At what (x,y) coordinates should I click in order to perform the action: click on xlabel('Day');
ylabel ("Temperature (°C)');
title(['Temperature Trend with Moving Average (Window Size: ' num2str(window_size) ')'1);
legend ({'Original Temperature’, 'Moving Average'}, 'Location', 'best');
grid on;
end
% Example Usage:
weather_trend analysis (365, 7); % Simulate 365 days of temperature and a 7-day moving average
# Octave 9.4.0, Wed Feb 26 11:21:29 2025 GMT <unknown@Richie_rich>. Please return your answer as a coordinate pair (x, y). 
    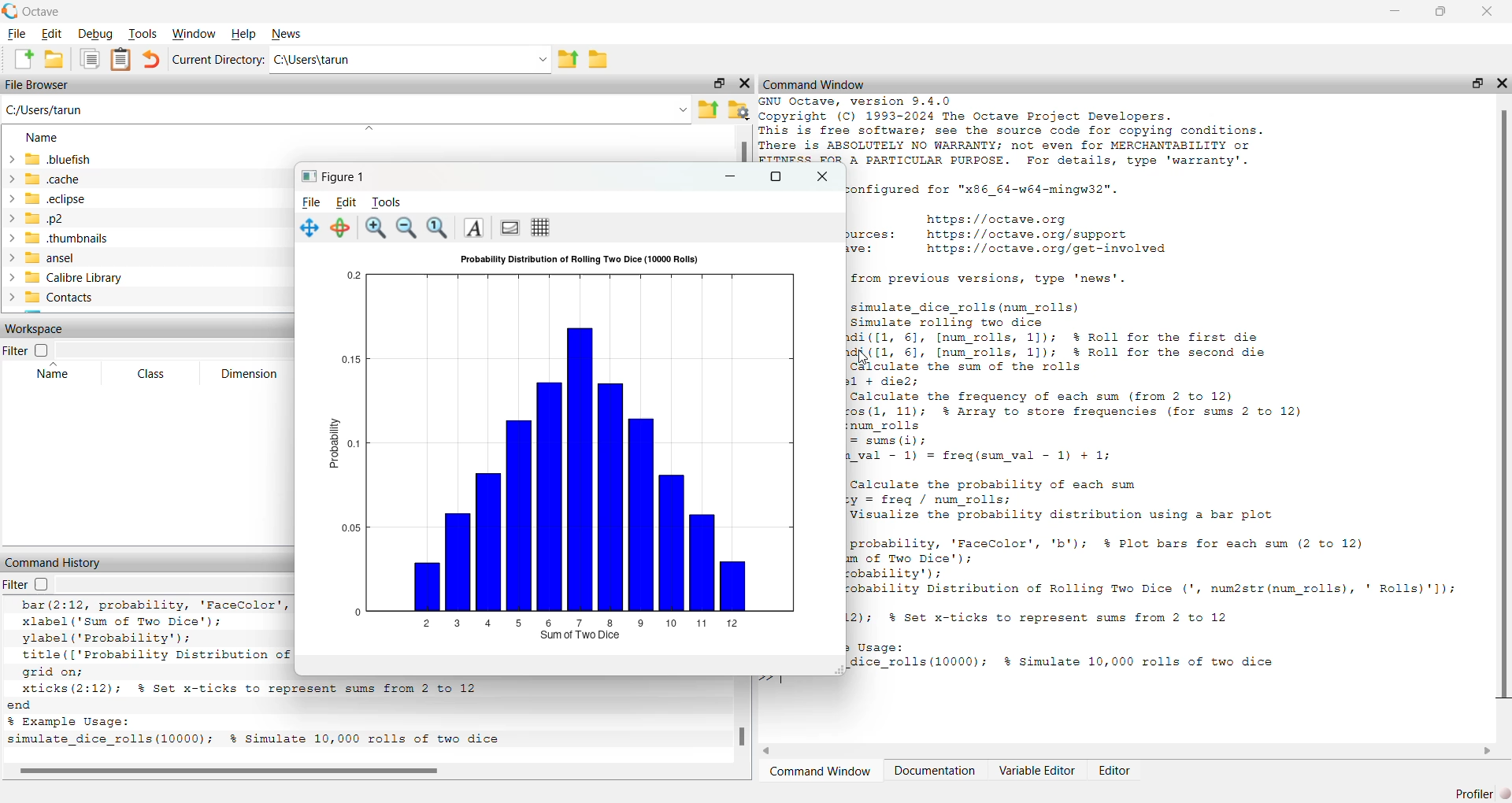
    Looking at the image, I should click on (148, 677).